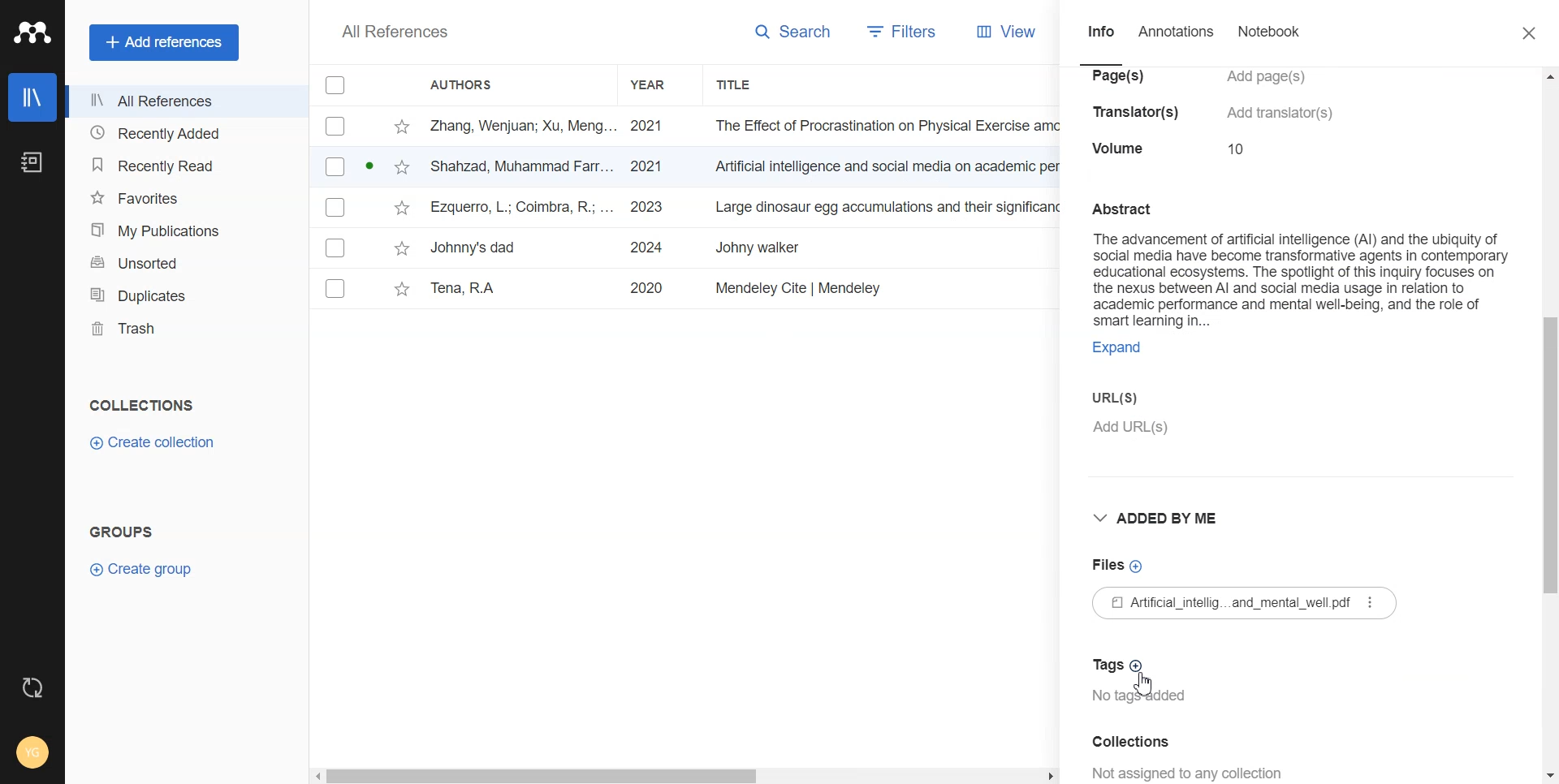  What do you see at coordinates (143, 405) in the screenshot?
I see `Collection` at bounding box center [143, 405].